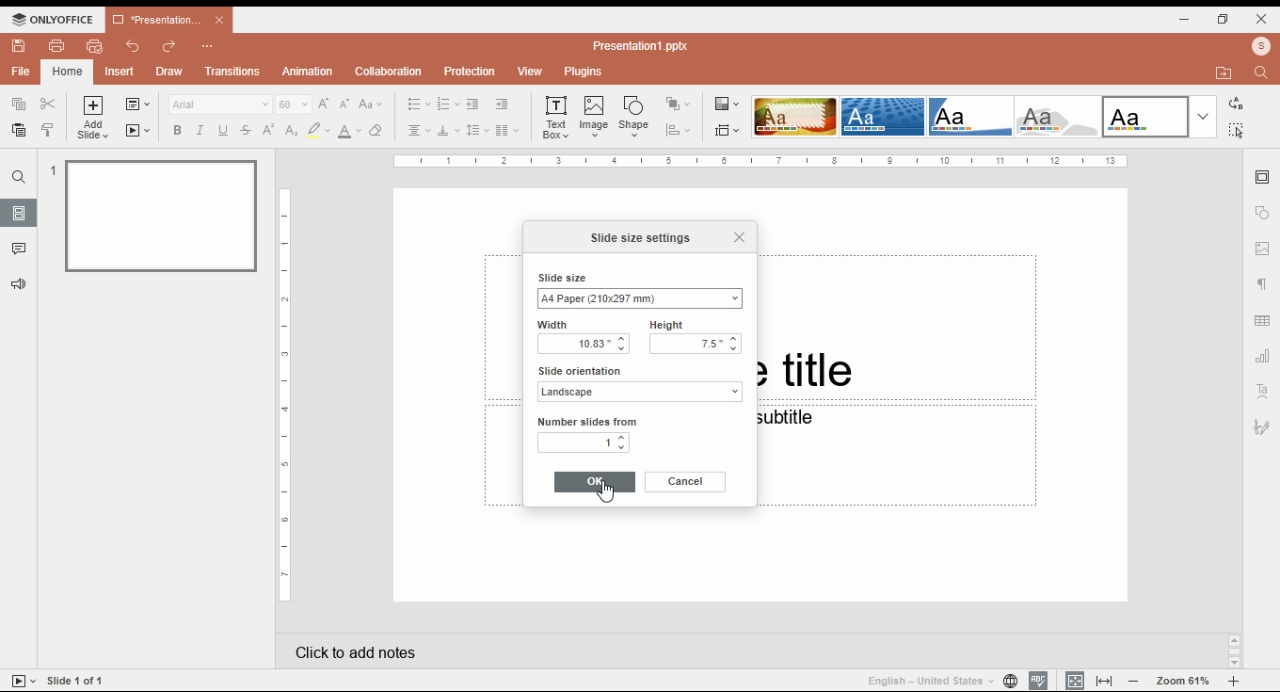 The image size is (1280, 692). I want to click on collaboration, so click(388, 71).